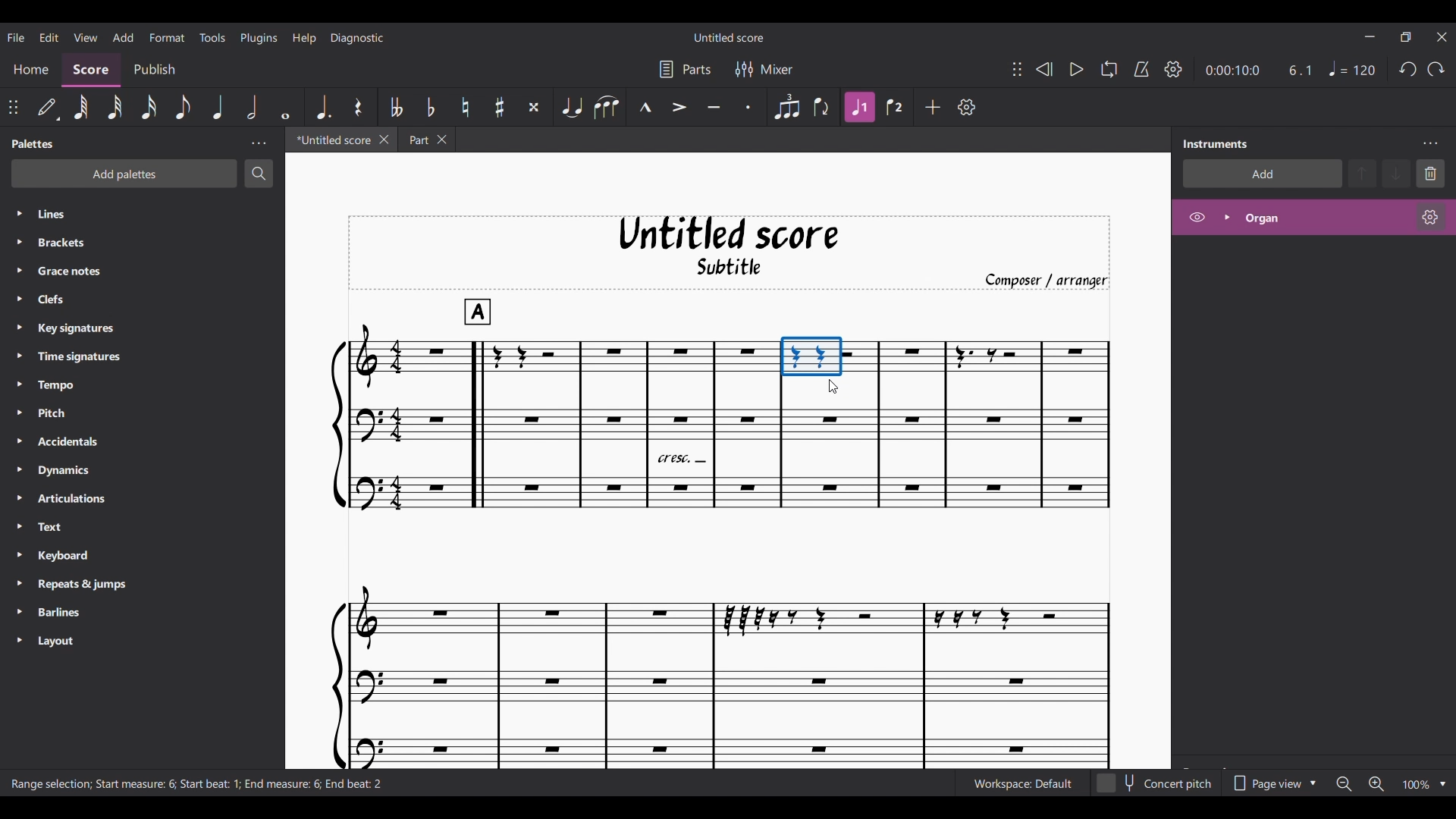 The height and width of the screenshot is (819, 1456). What do you see at coordinates (166, 35) in the screenshot?
I see `Format menu` at bounding box center [166, 35].